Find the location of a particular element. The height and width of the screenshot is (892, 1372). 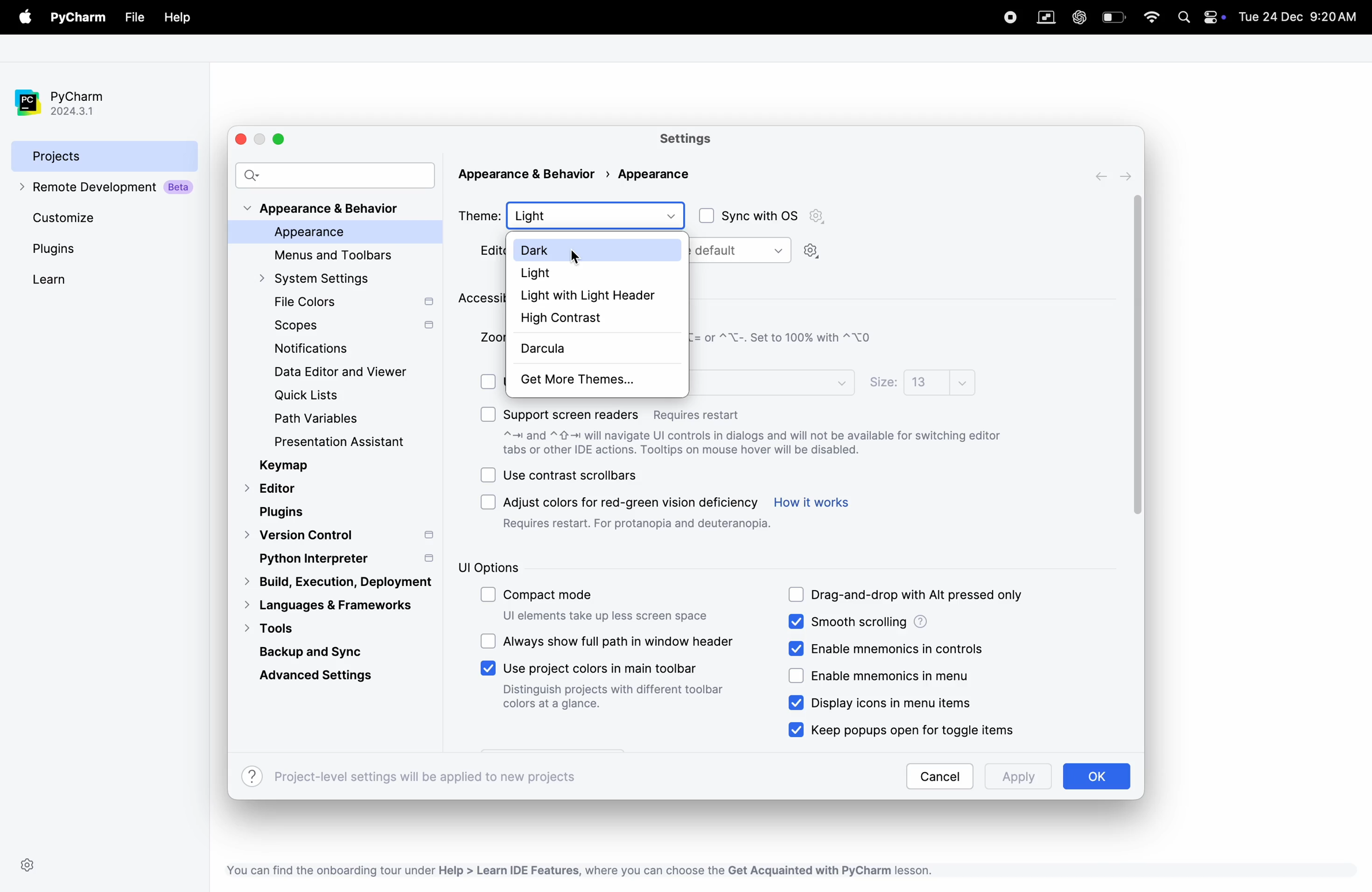

notifications is located at coordinates (306, 350).